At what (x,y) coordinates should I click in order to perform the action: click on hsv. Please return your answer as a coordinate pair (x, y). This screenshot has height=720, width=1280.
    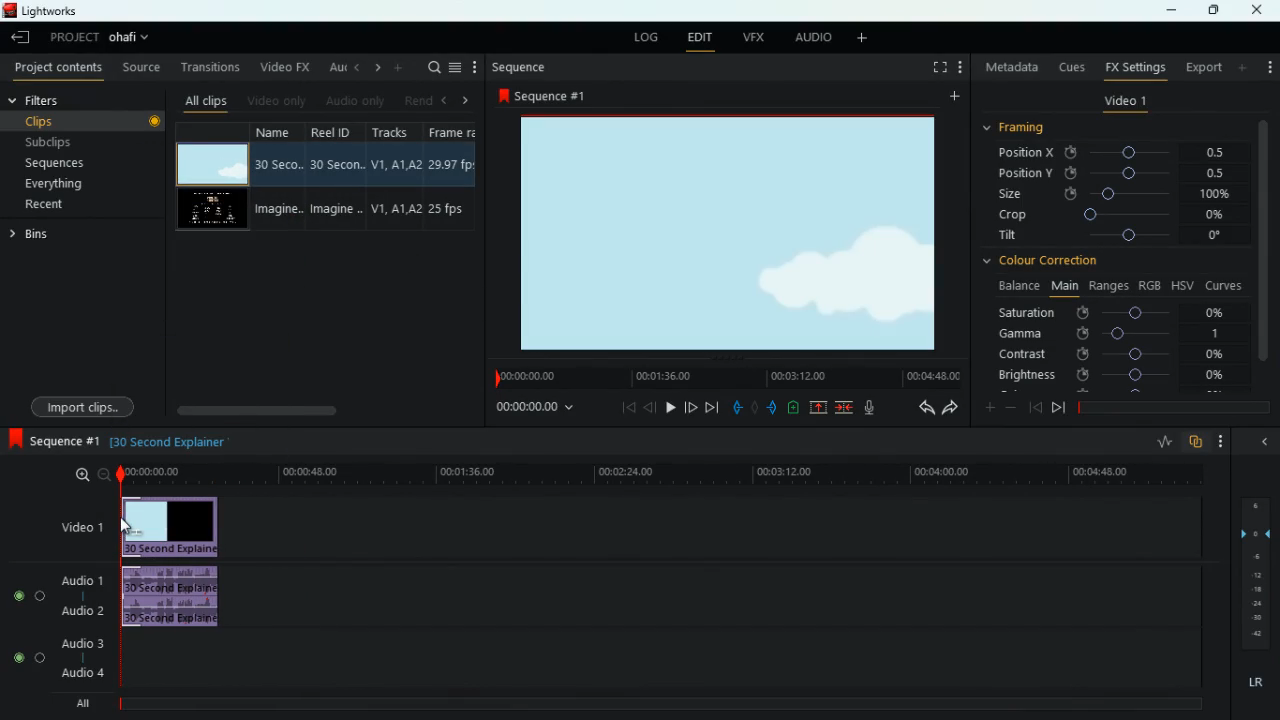
    Looking at the image, I should click on (1182, 285).